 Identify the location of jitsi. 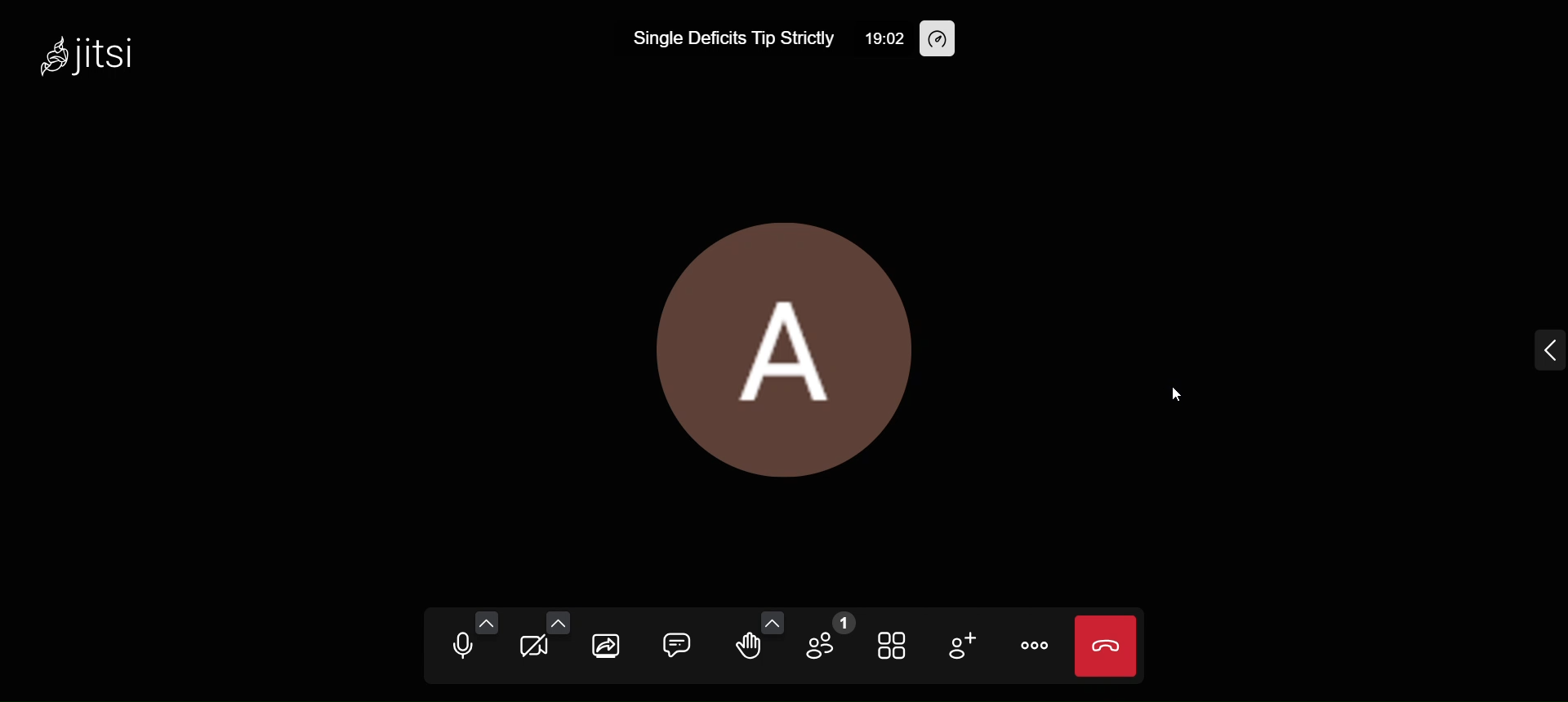
(95, 53).